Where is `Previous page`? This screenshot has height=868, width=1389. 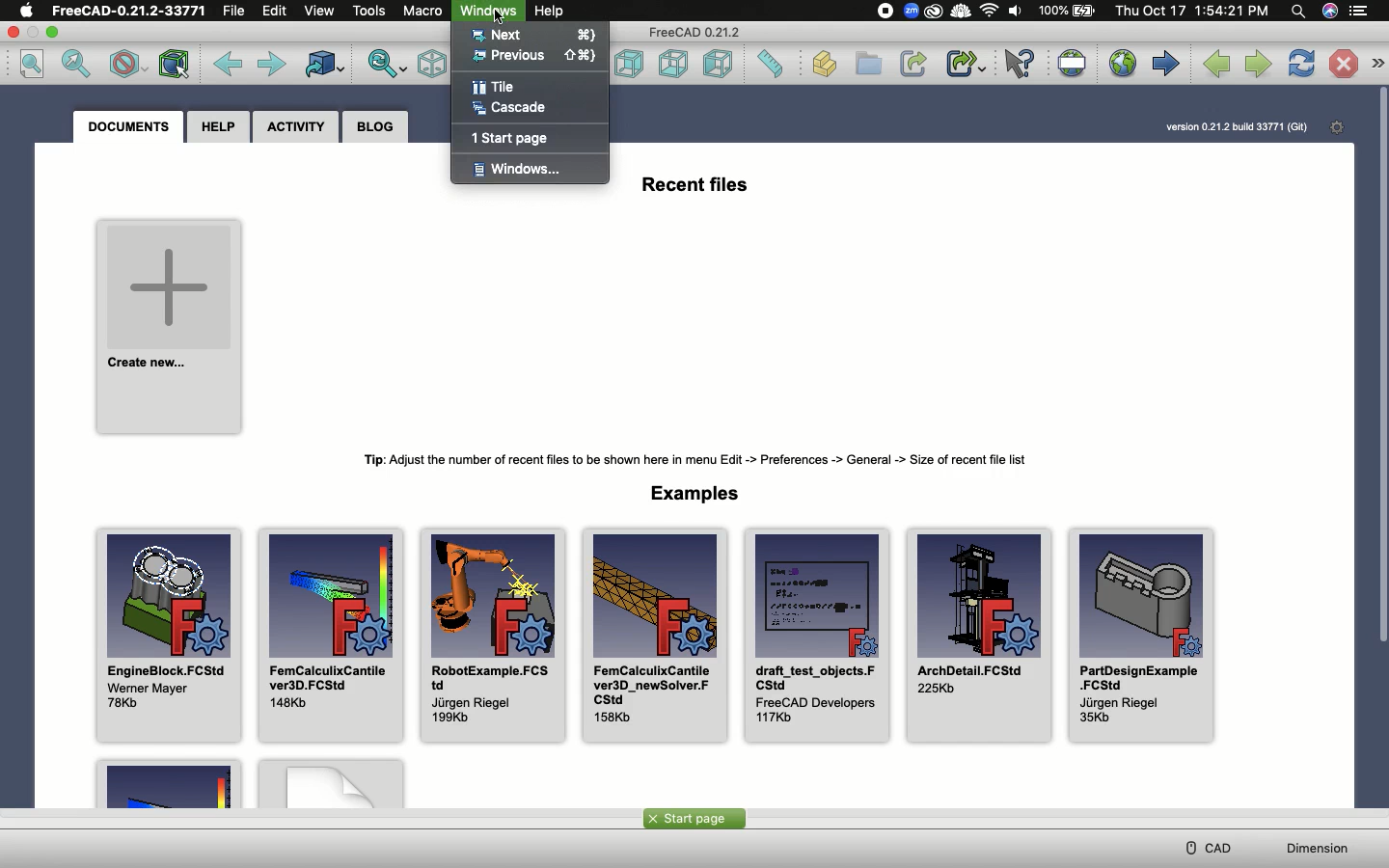
Previous page is located at coordinates (1215, 66).